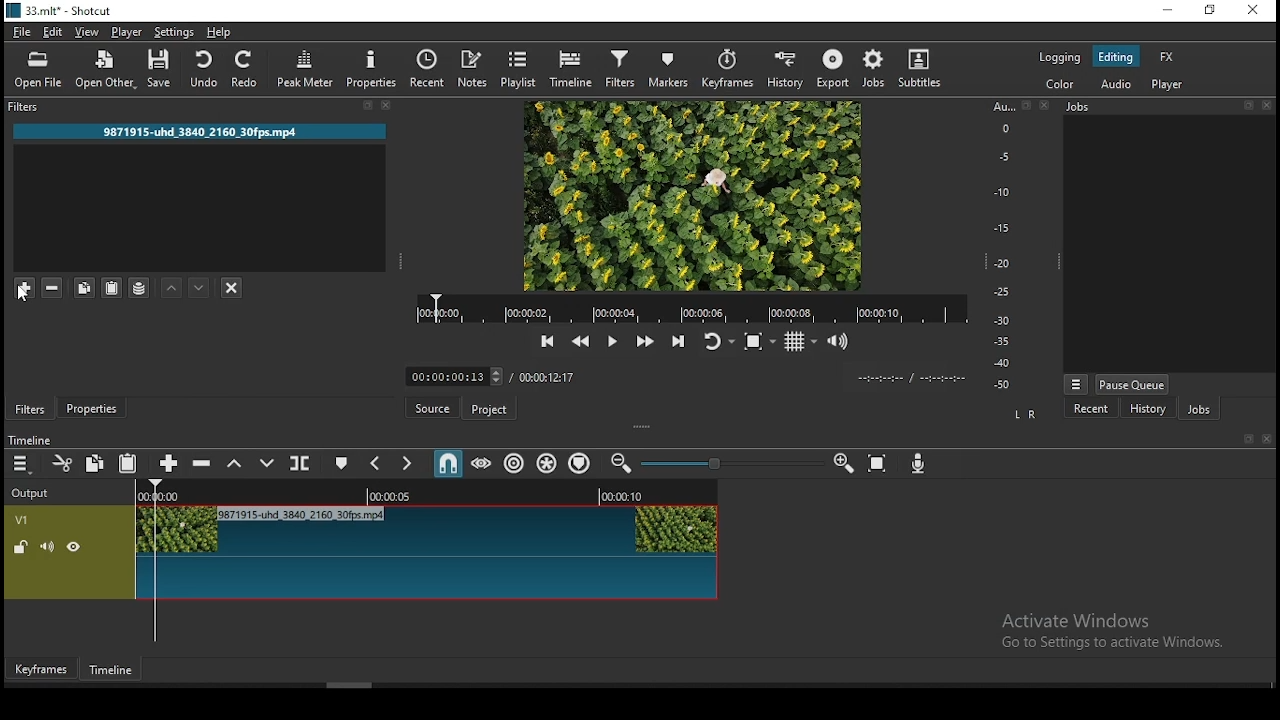 Image resolution: width=1280 pixels, height=720 pixels. I want to click on append, so click(168, 464).